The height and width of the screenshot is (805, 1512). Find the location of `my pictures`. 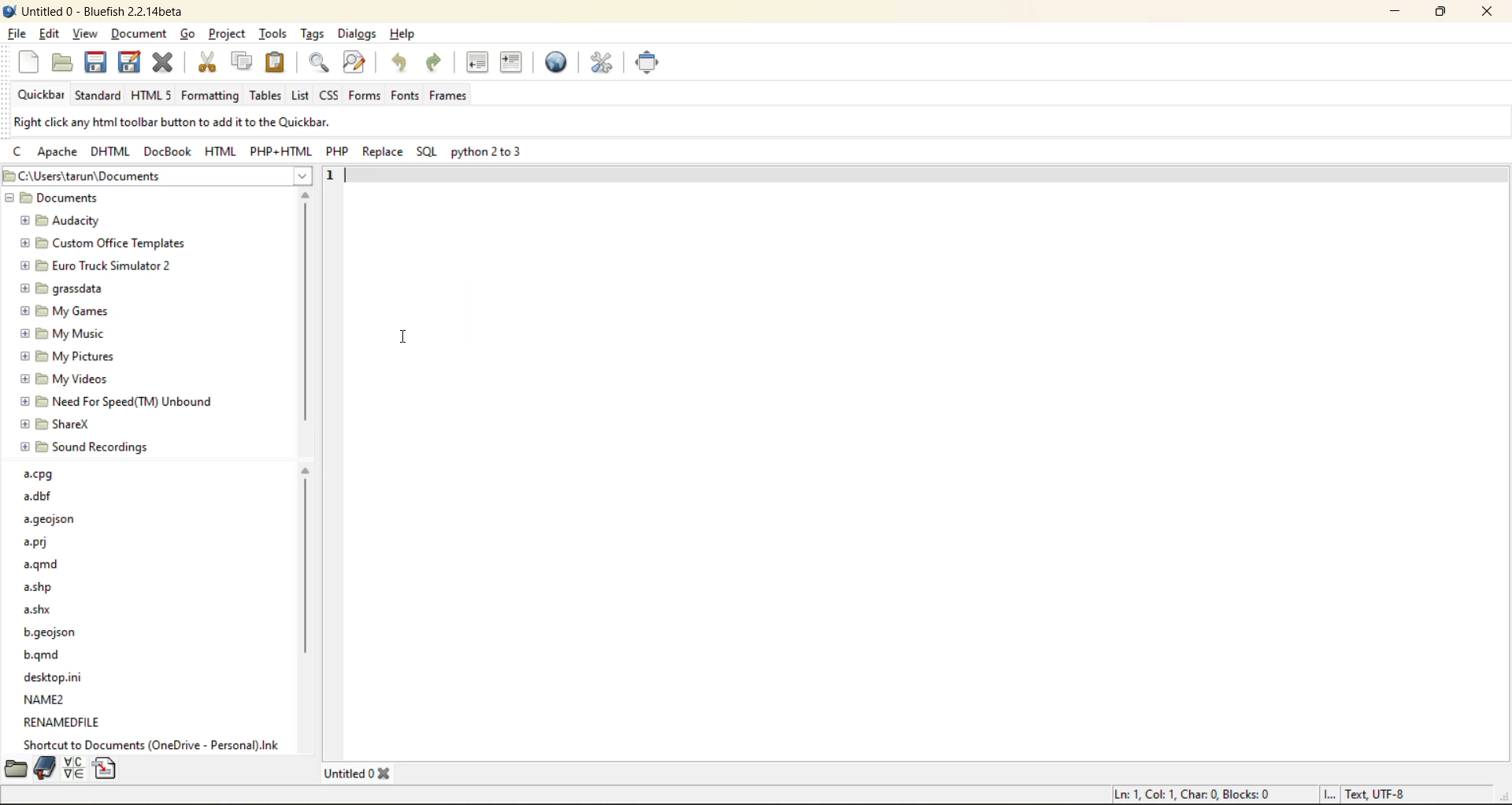

my pictures is located at coordinates (70, 358).